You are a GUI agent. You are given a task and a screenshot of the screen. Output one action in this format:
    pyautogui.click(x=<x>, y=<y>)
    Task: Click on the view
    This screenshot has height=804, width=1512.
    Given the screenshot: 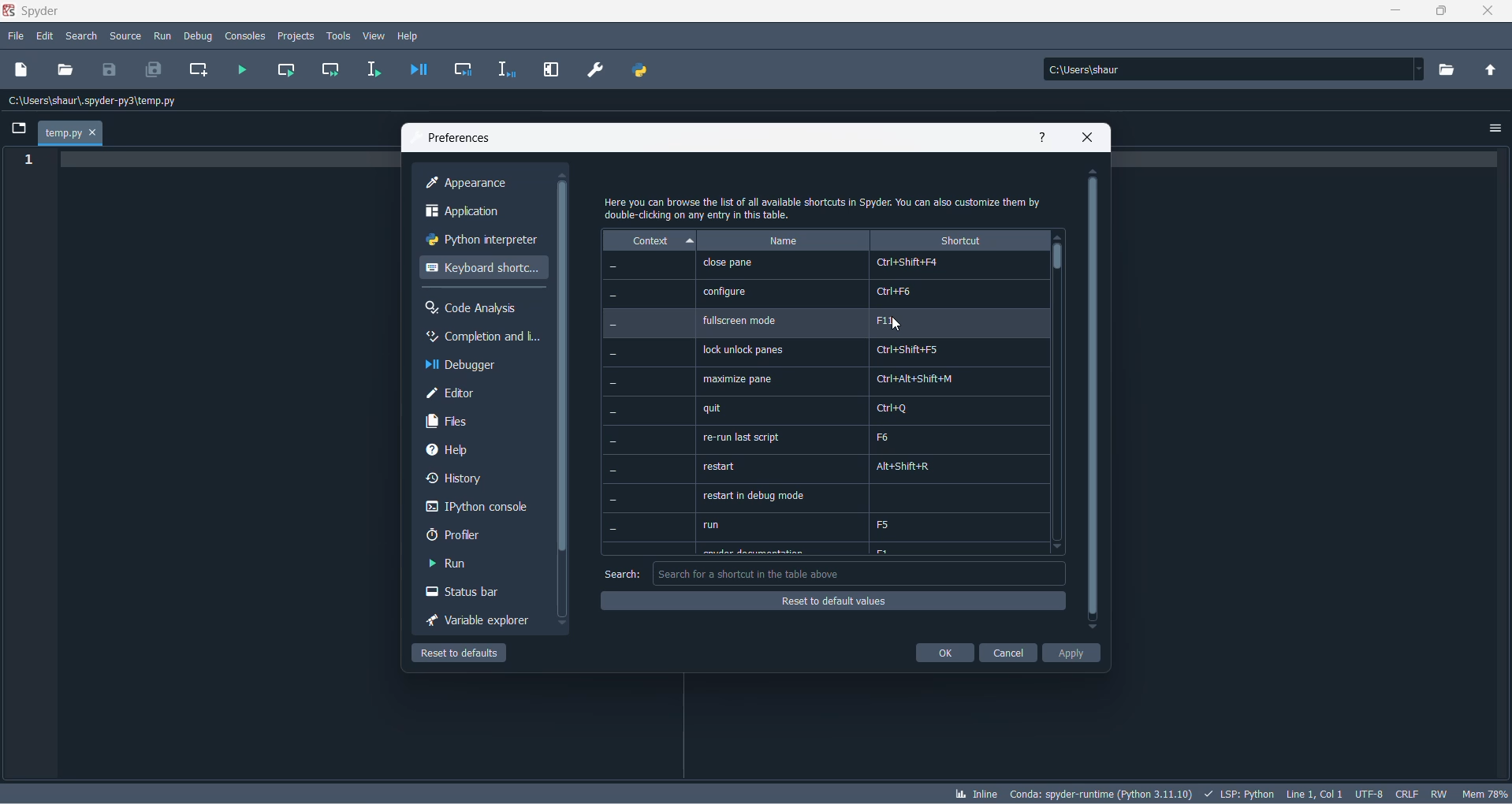 What is the action you would take?
    pyautogui.click(x=374, y=36)
    